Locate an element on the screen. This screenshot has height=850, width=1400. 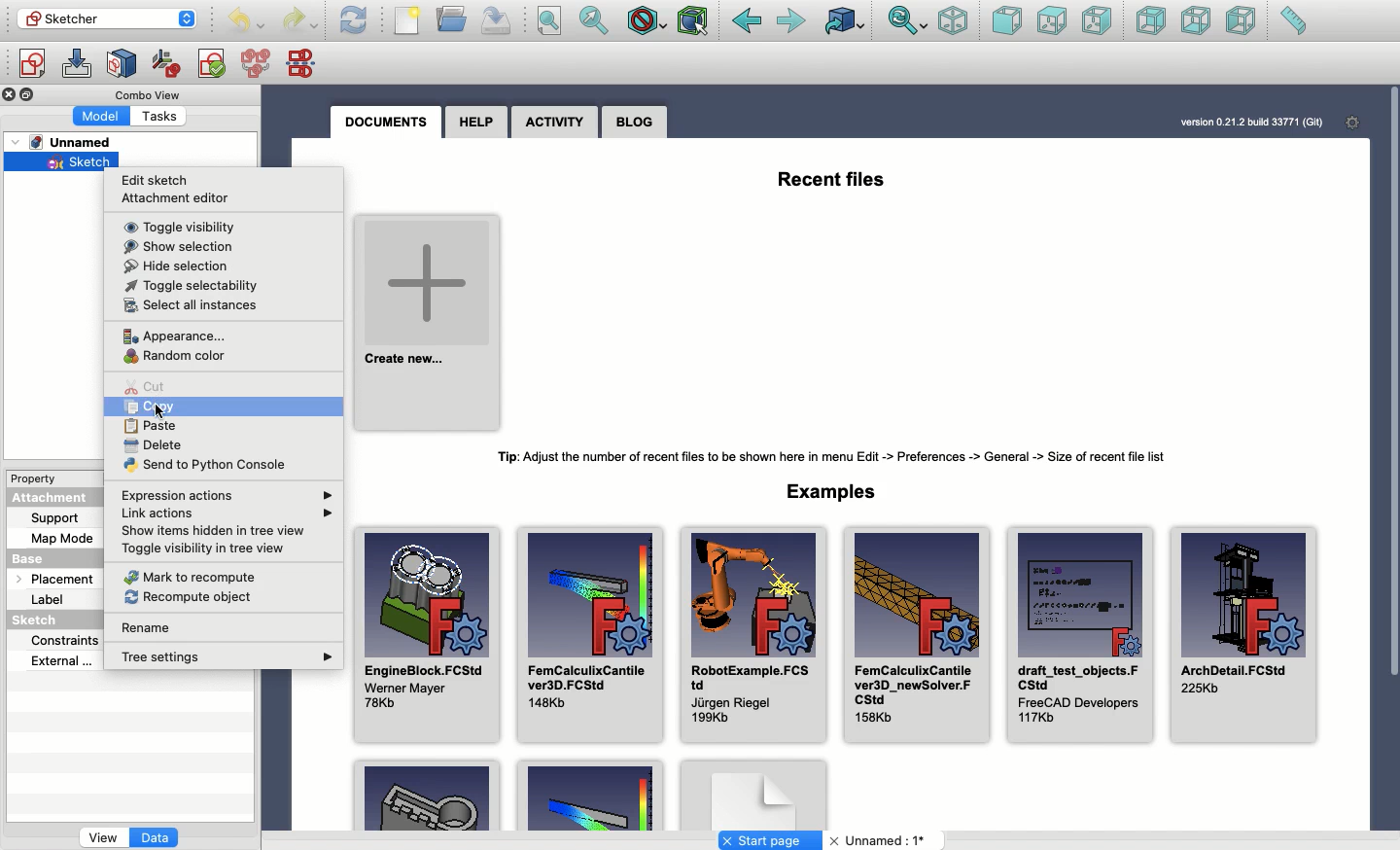
Tip: Adjust the number of recent files to be shown here in menu Edit -> Preferences -> General -> Size of recent file list is located at coordinates (841, 457).